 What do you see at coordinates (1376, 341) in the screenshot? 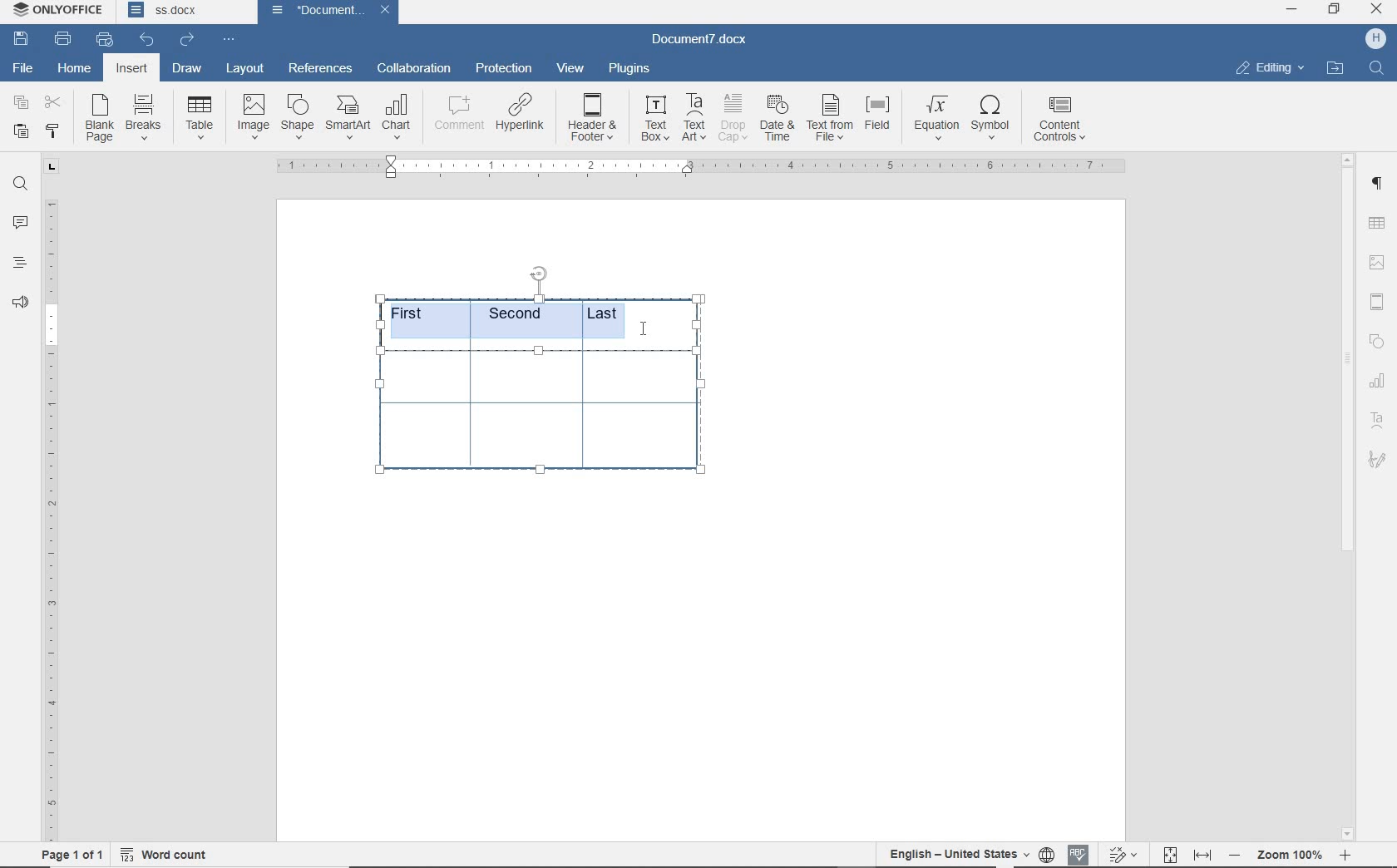
I see `SHAPE` at bounding box center [1376, 341].